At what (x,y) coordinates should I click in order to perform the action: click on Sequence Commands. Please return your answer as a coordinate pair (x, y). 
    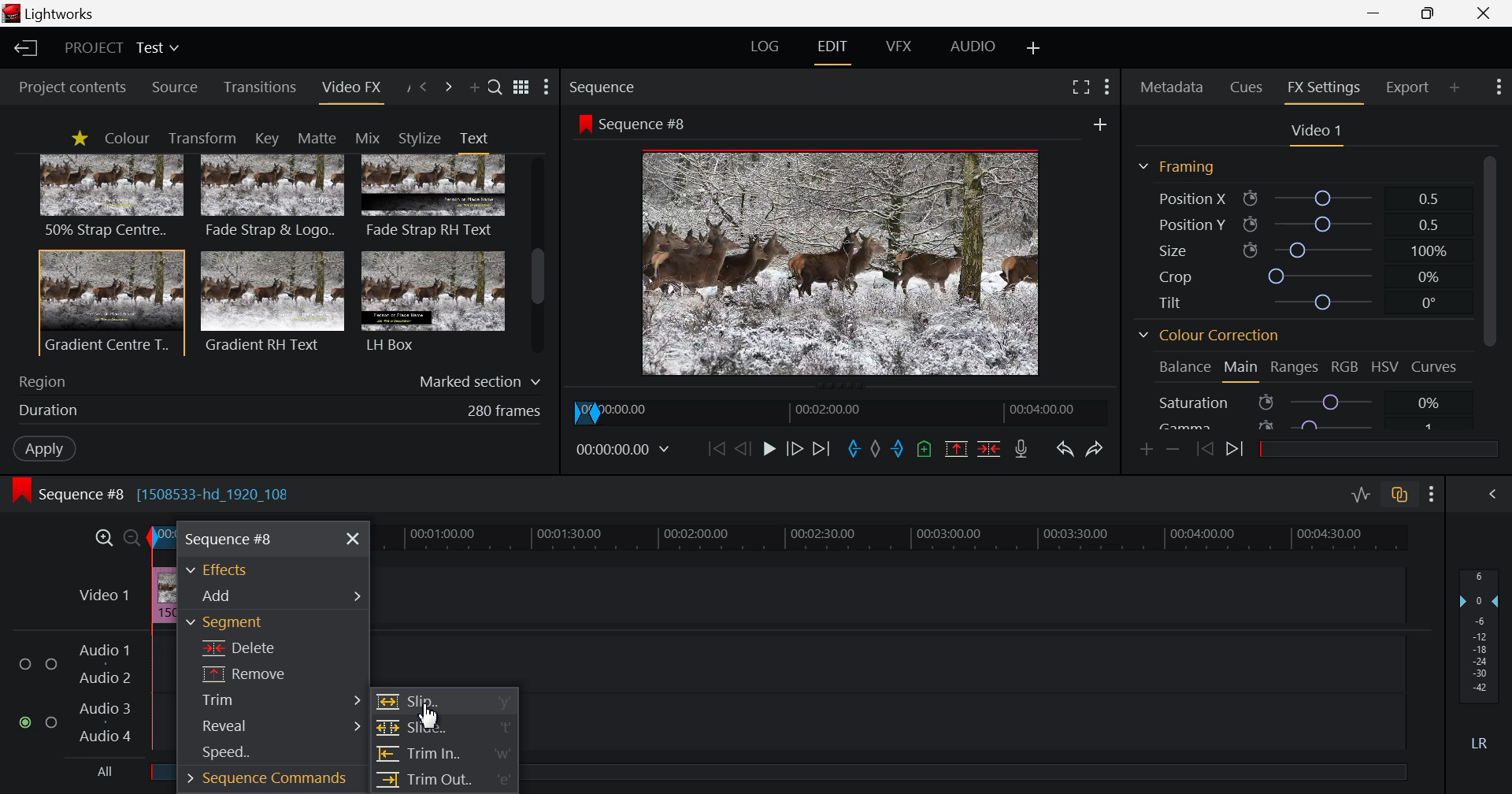
    Looking at the image, I should click on (261, 781).